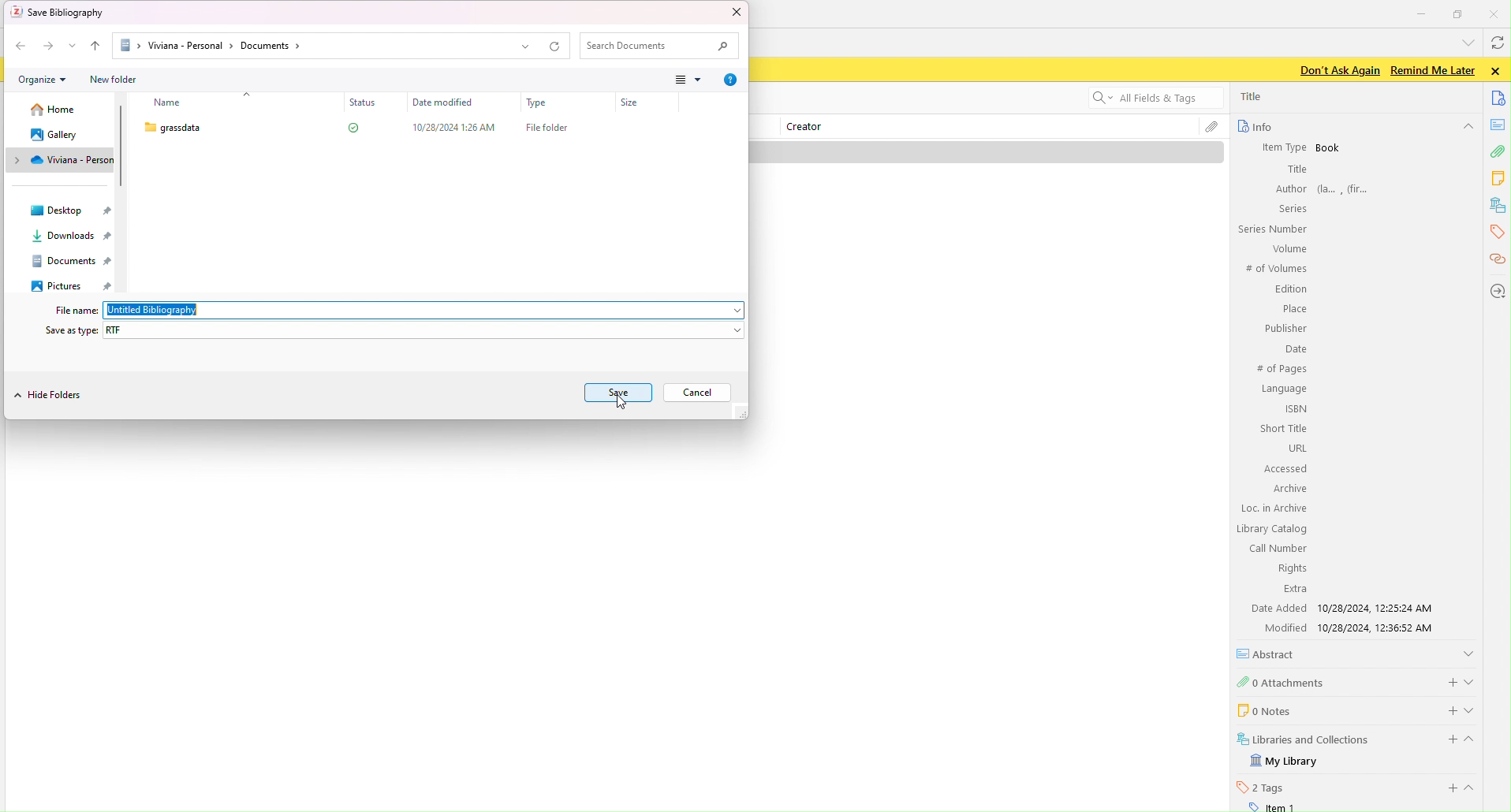 This screenshot has height=812, width=1511. I want to click on Cancel, so click(700, 396).